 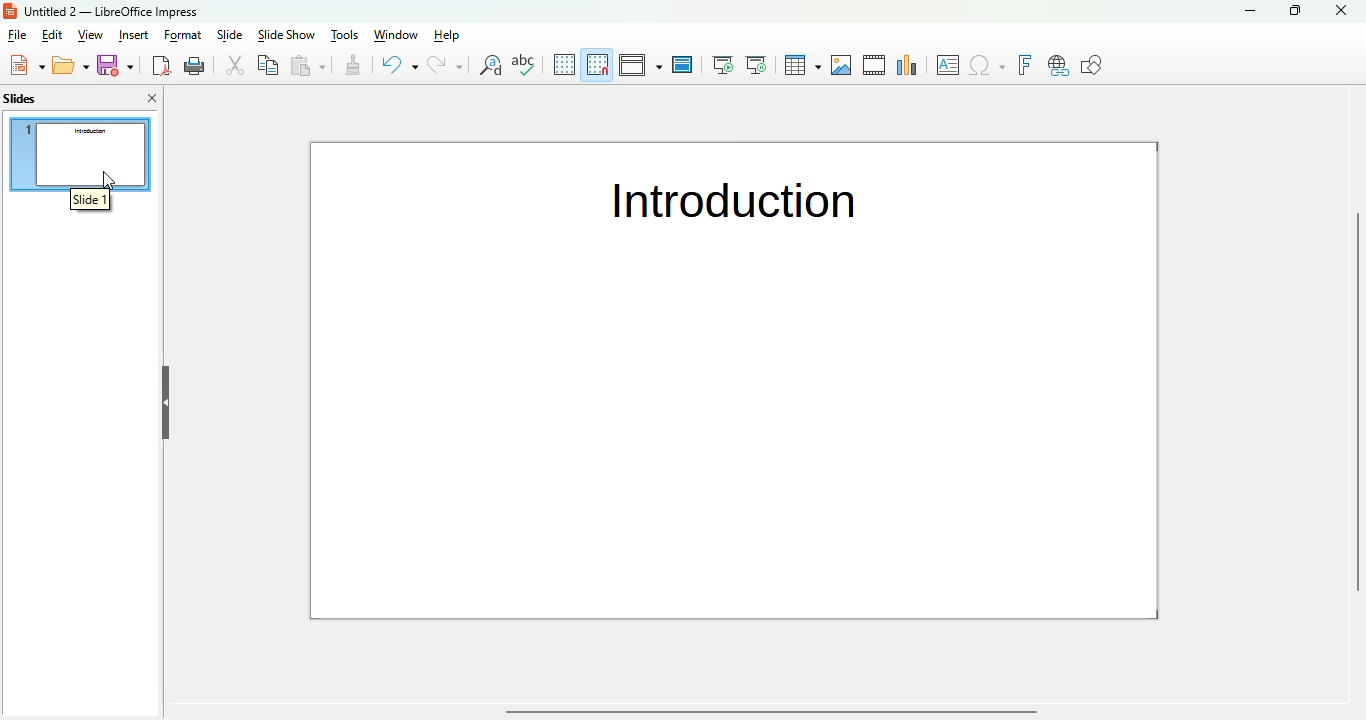 What do you see at coordinates (27, 65) in the screenshot?
I see `new` at bounding box center [27, 65].